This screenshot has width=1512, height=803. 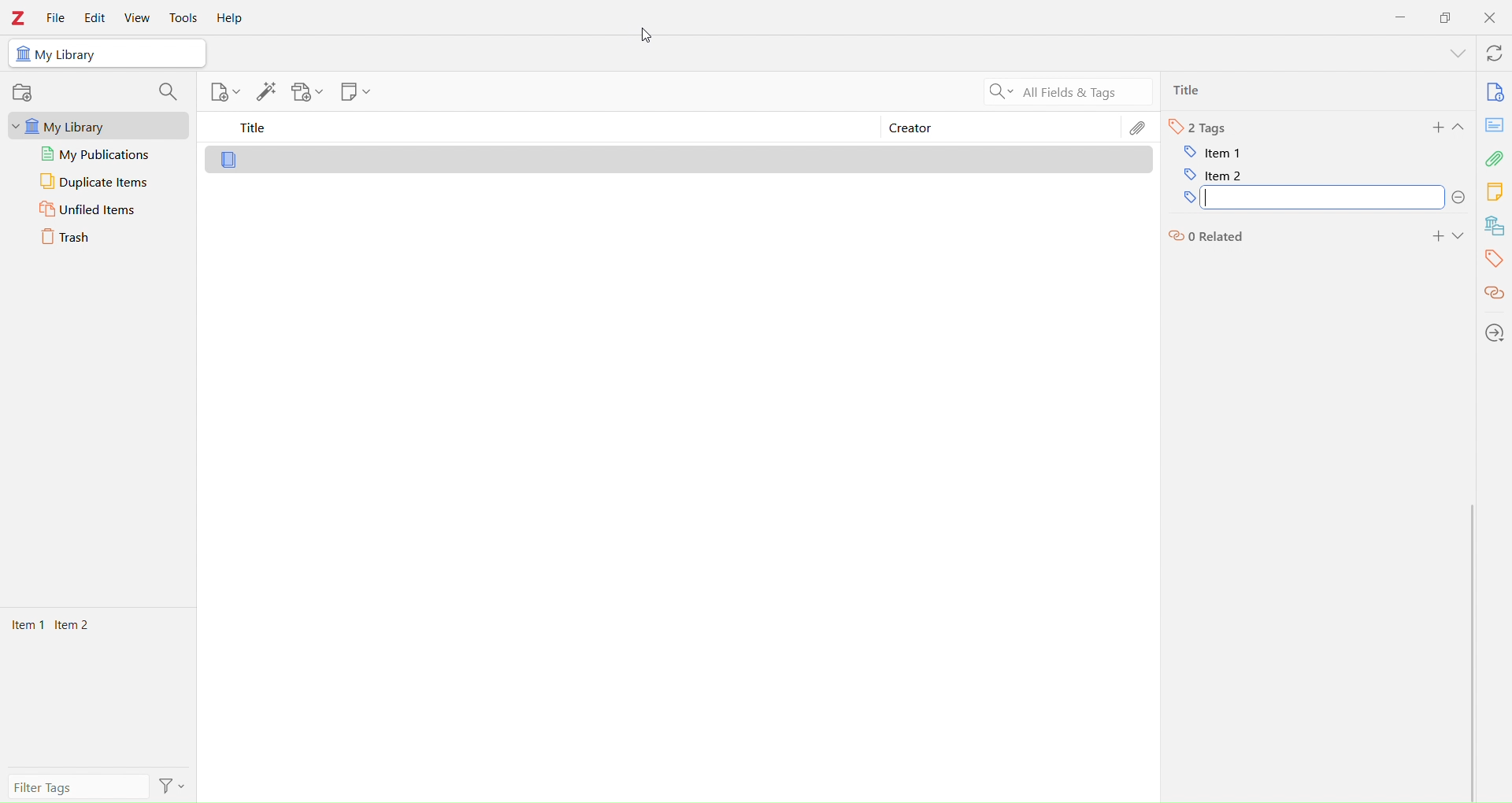 I want to click on item 2, so click(x=1228, y=170).